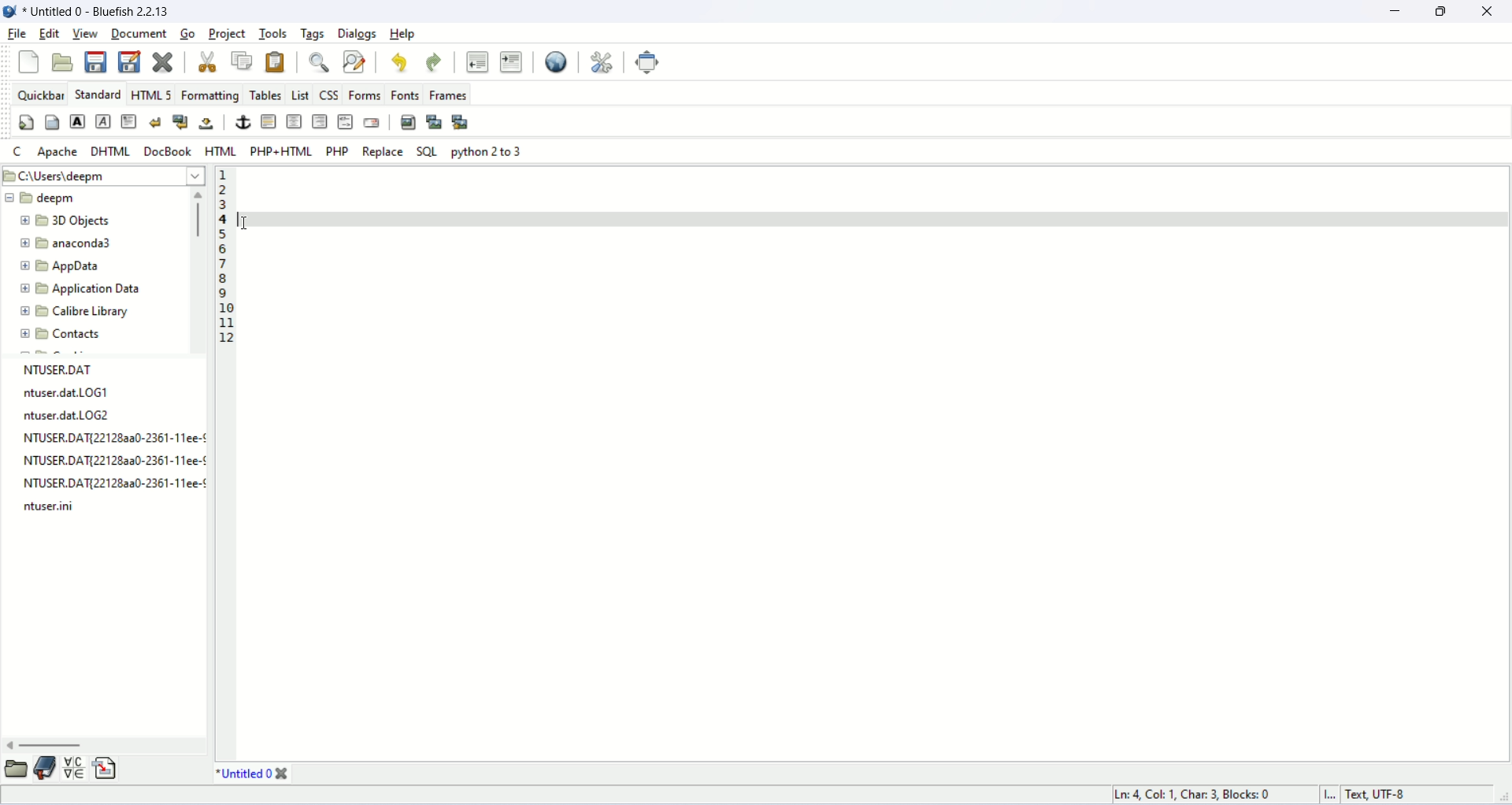  I want to click on preferences, so click(603, 63).